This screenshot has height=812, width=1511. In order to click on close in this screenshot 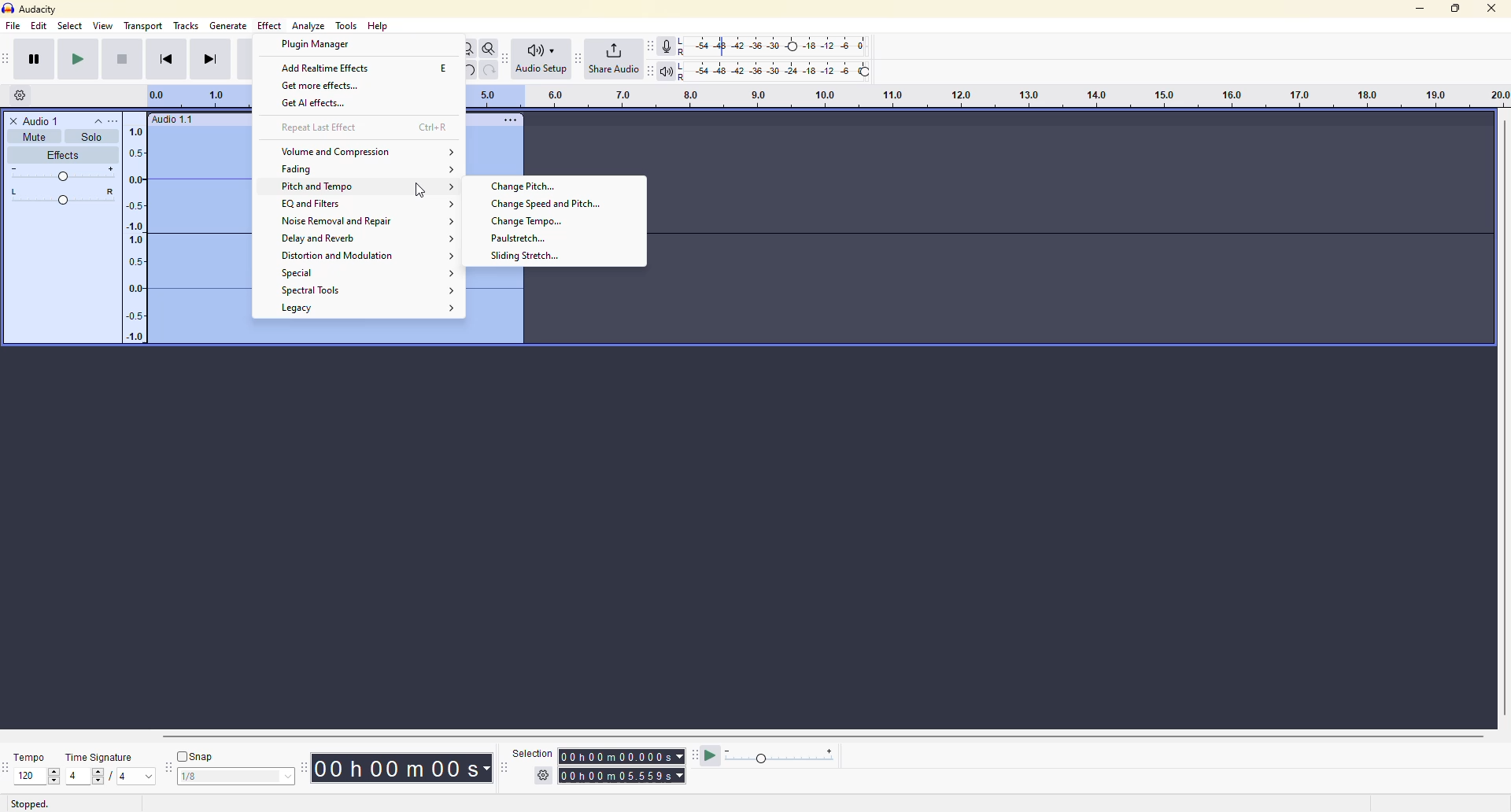, I will do `click(1493, 8)`.